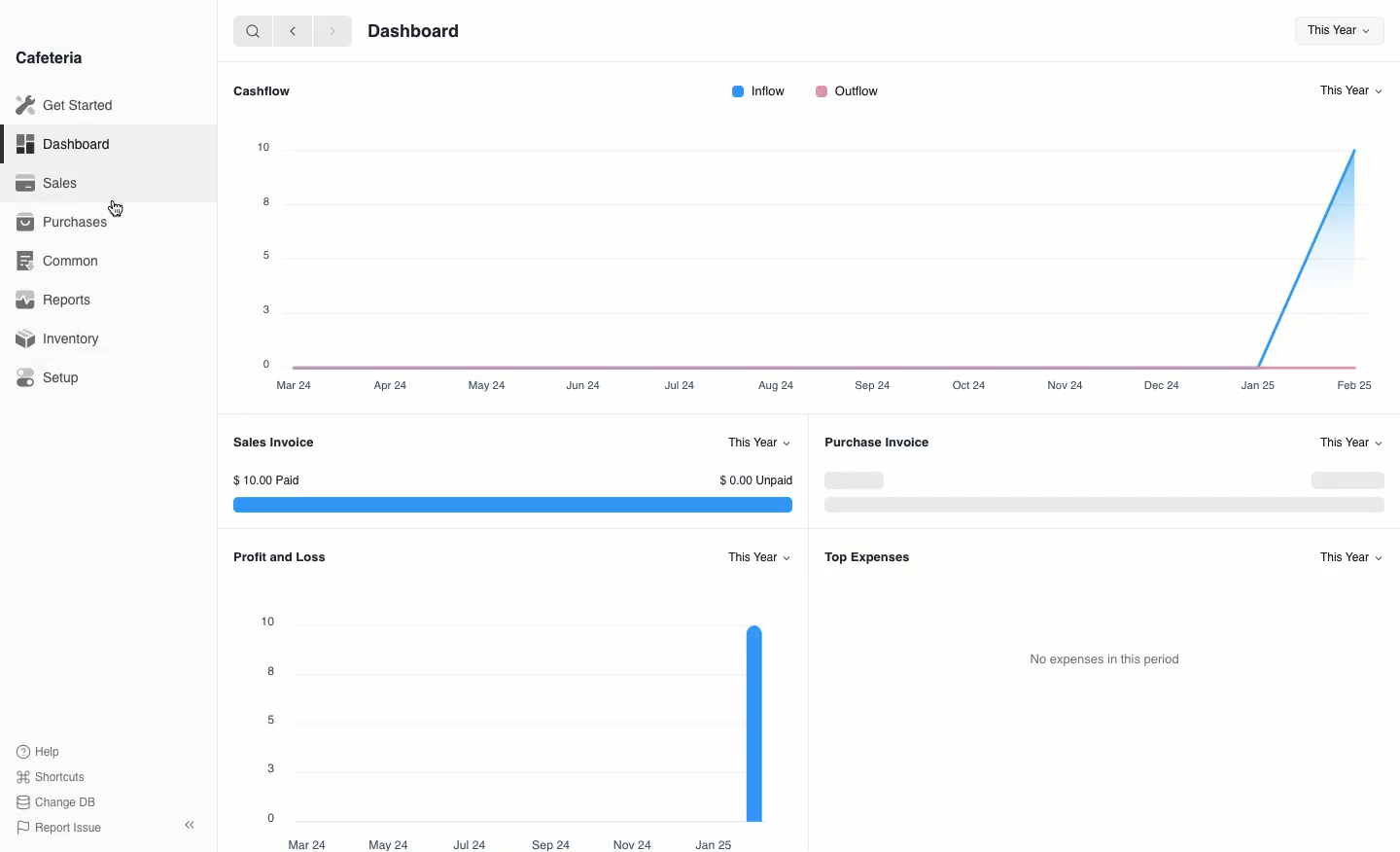  I want to click on 5, so click(267, 257).